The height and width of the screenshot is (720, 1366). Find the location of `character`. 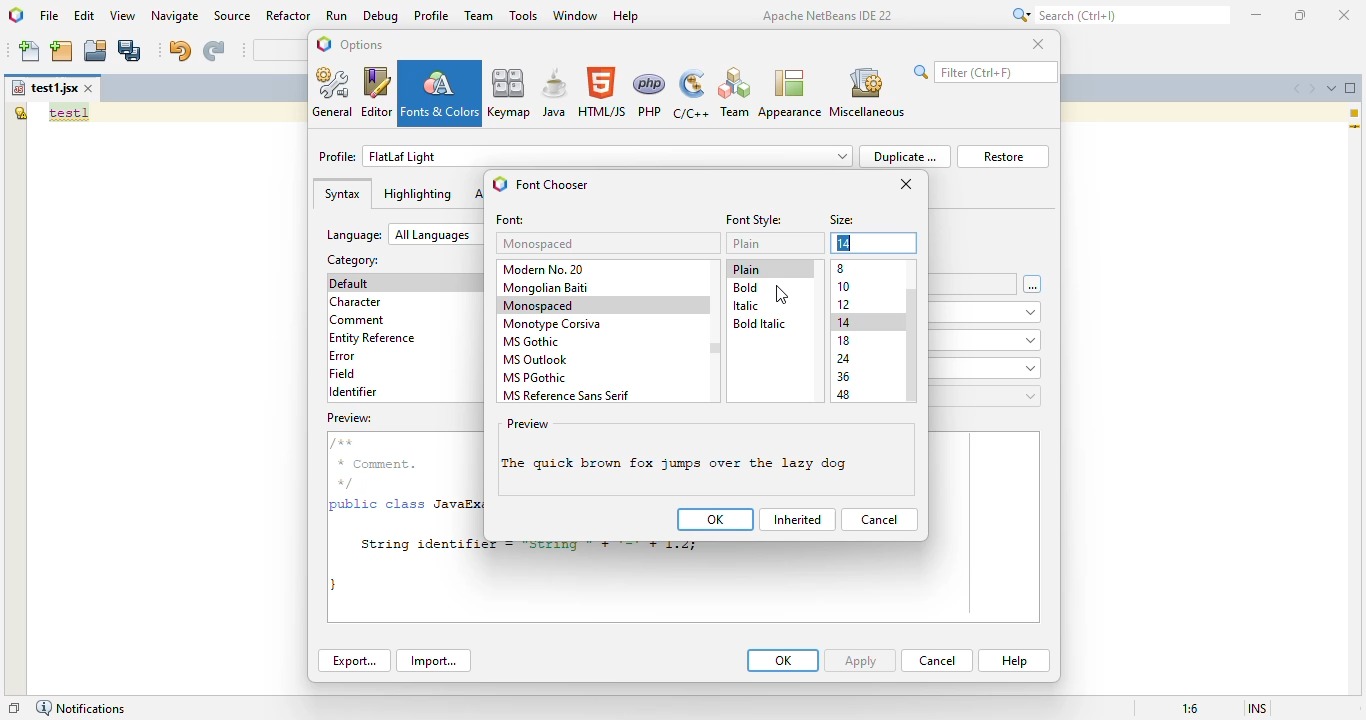

character is located at coordinates (355, 302).